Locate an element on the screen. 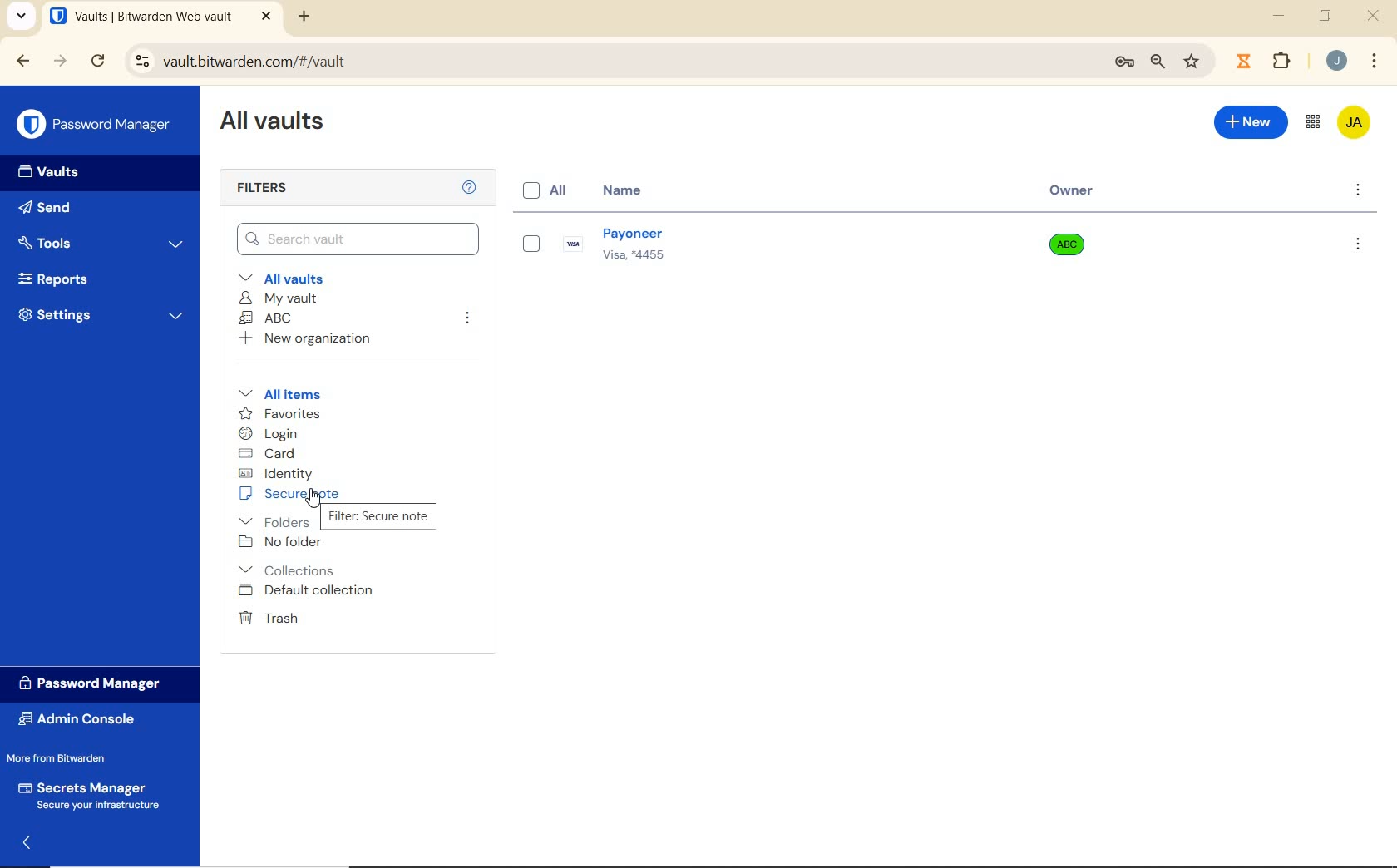 This screenshot has width=1397, height=868. eye box is located at coordinates (534, 246).